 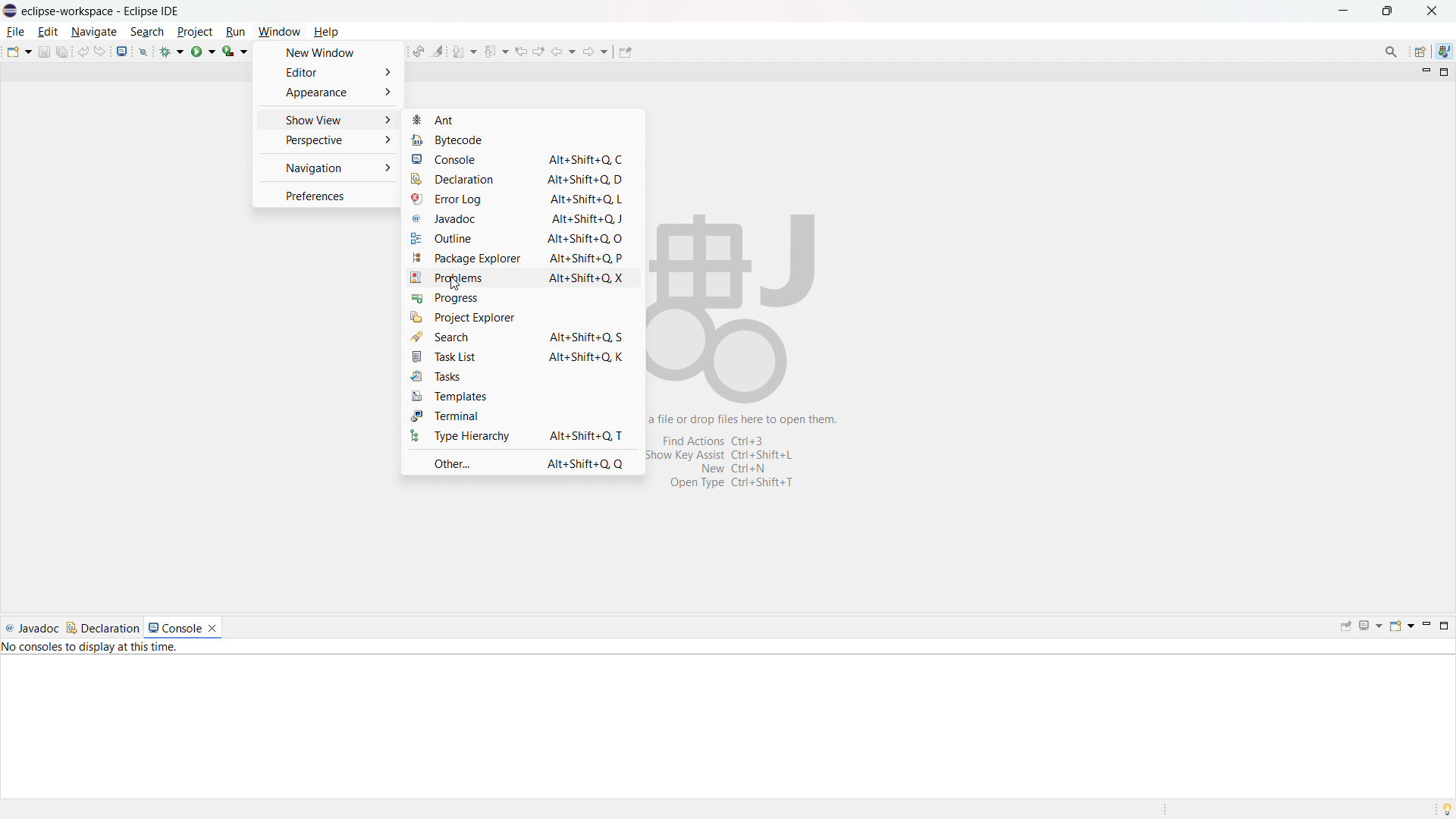 I want to click on previious annotation, so click(x=496, y=51).